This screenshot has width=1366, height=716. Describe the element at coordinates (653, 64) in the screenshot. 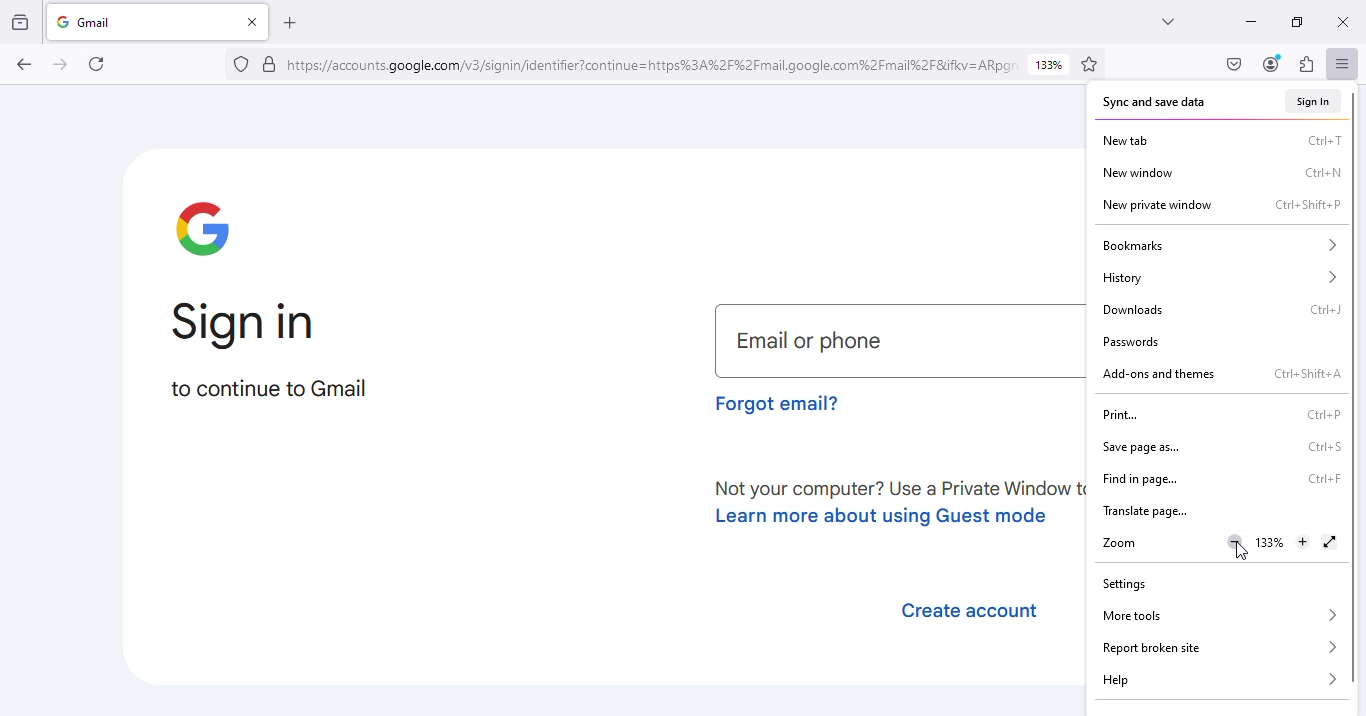

I see `link` at that location.